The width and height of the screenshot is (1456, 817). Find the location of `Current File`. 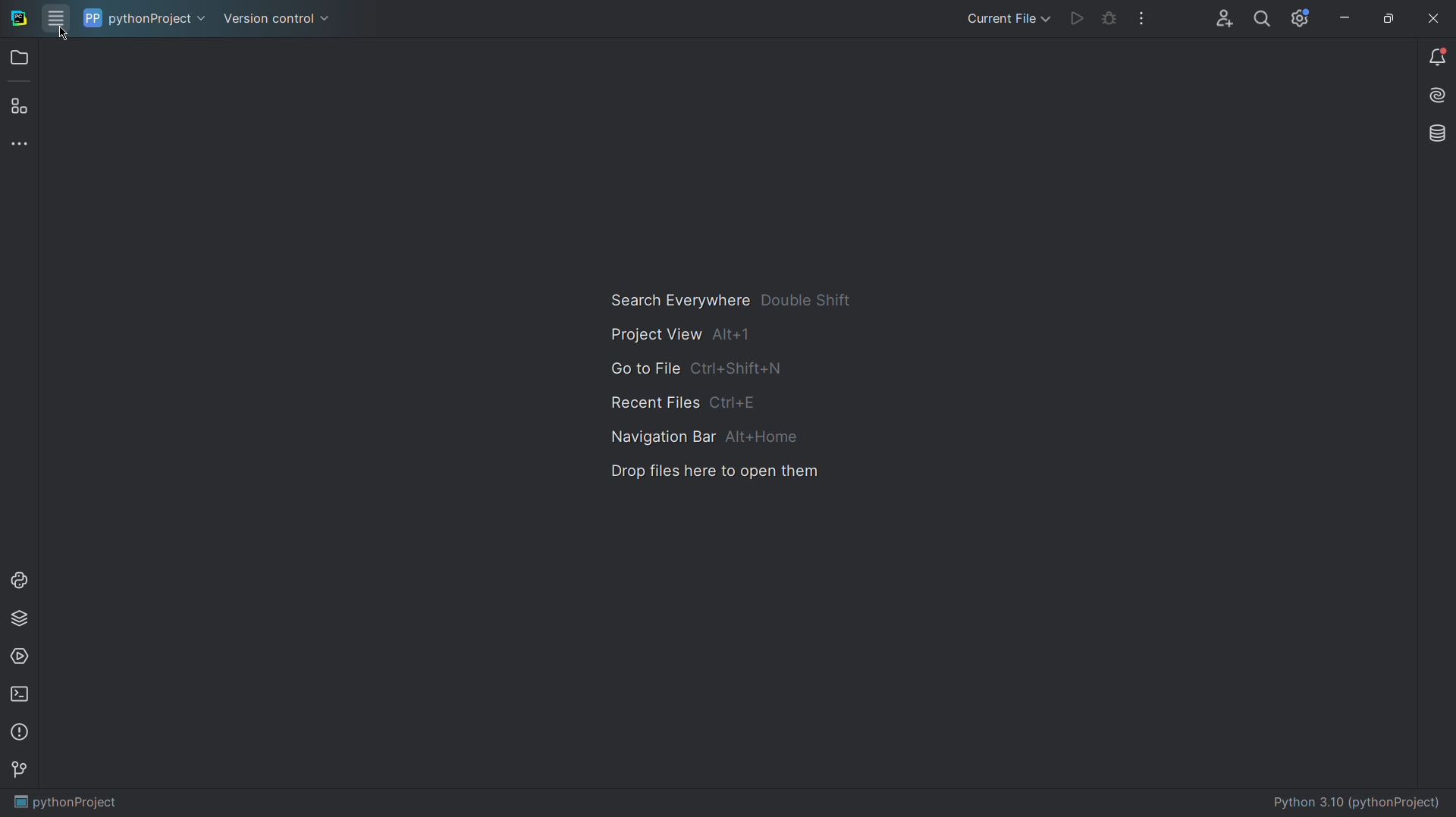

Current File is located at coordinates (1000, 19).